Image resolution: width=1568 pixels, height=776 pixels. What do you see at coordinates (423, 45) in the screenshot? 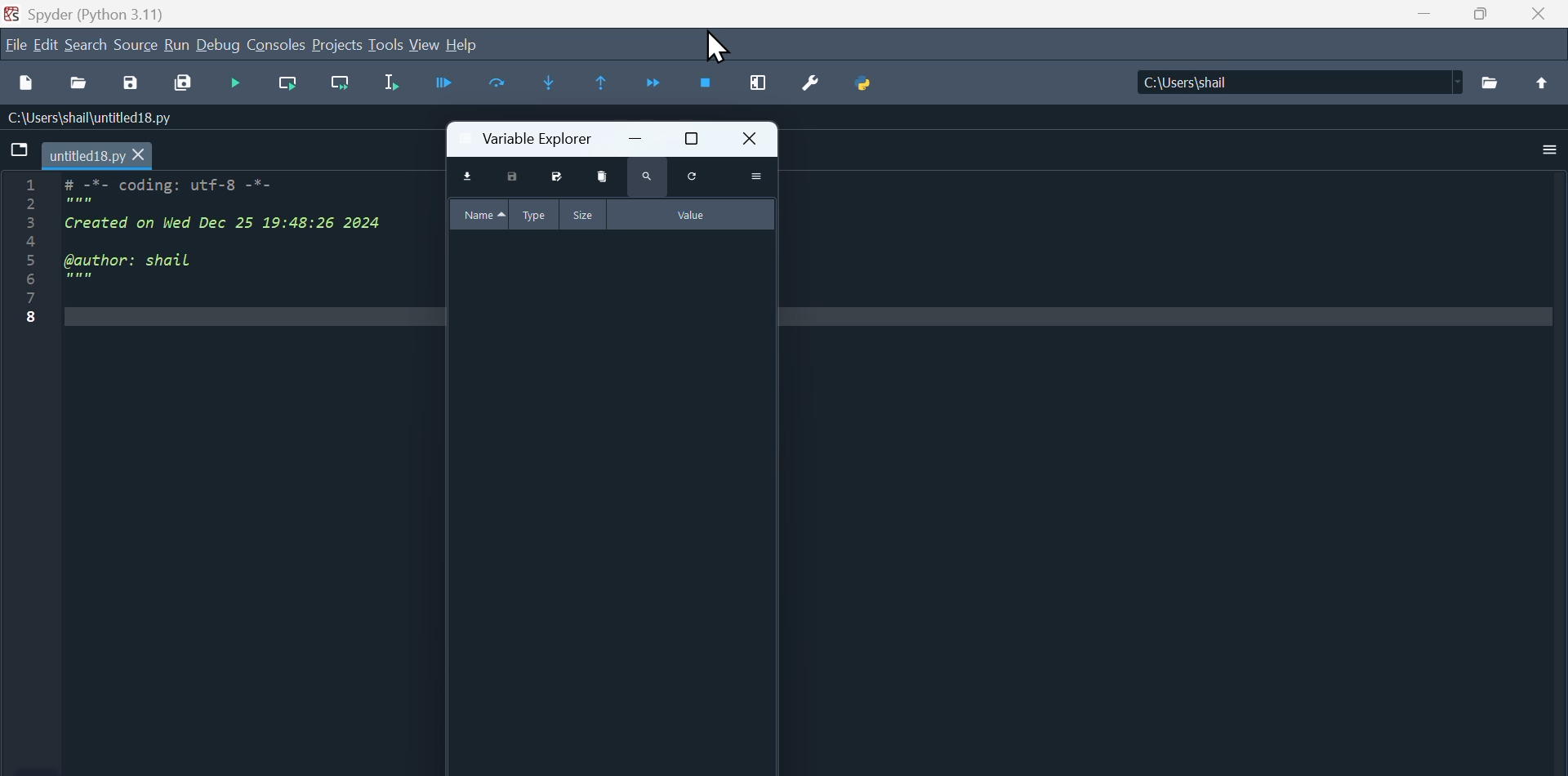
I see `View` at bounding box center [423, 45].